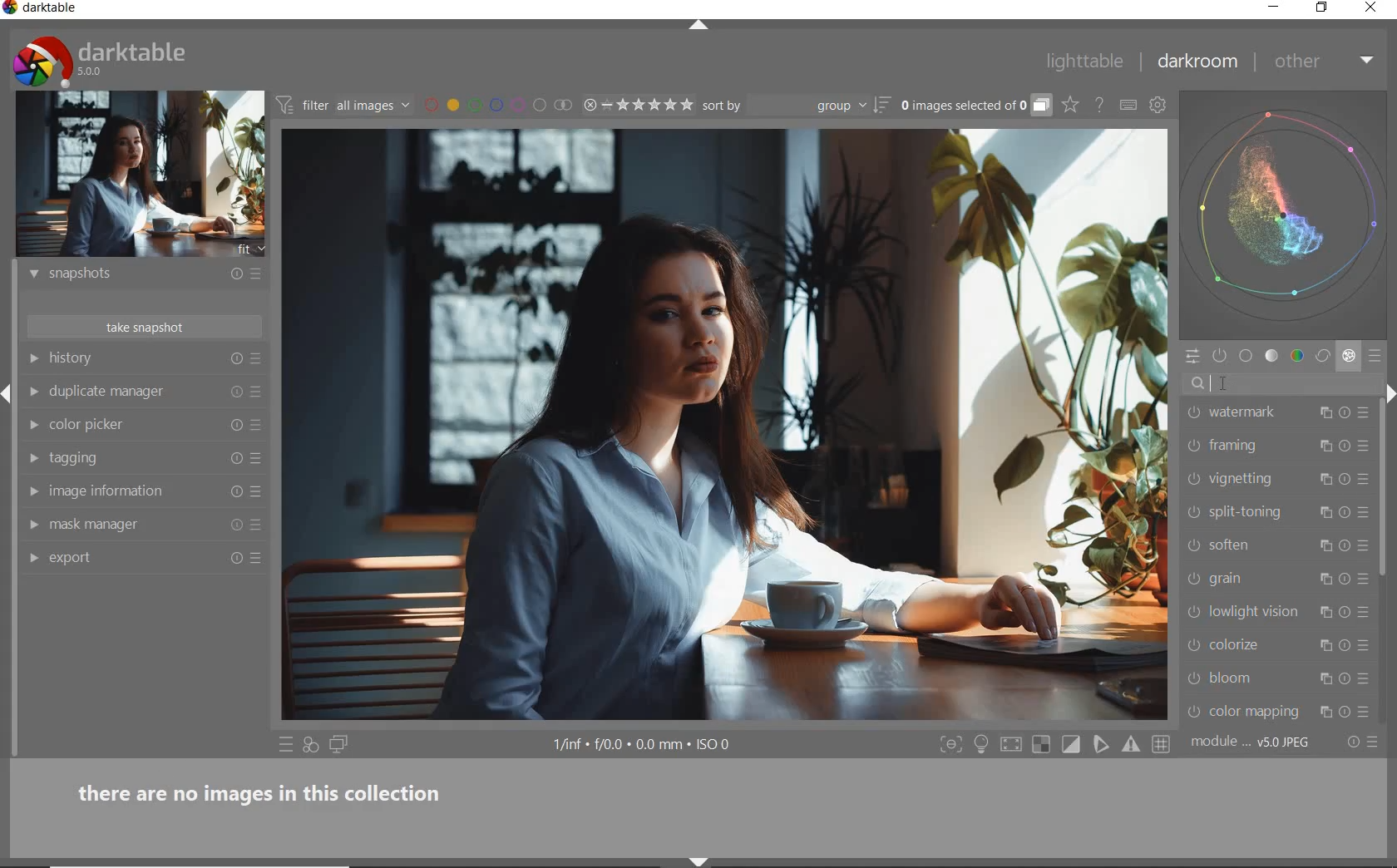 Image resolution: width=1397 pixels, height=868 pixels. What do you see at coordinates (1365, 612) in the screenshot?
I see `preset and preferences` at bounding box center [1365, 612].